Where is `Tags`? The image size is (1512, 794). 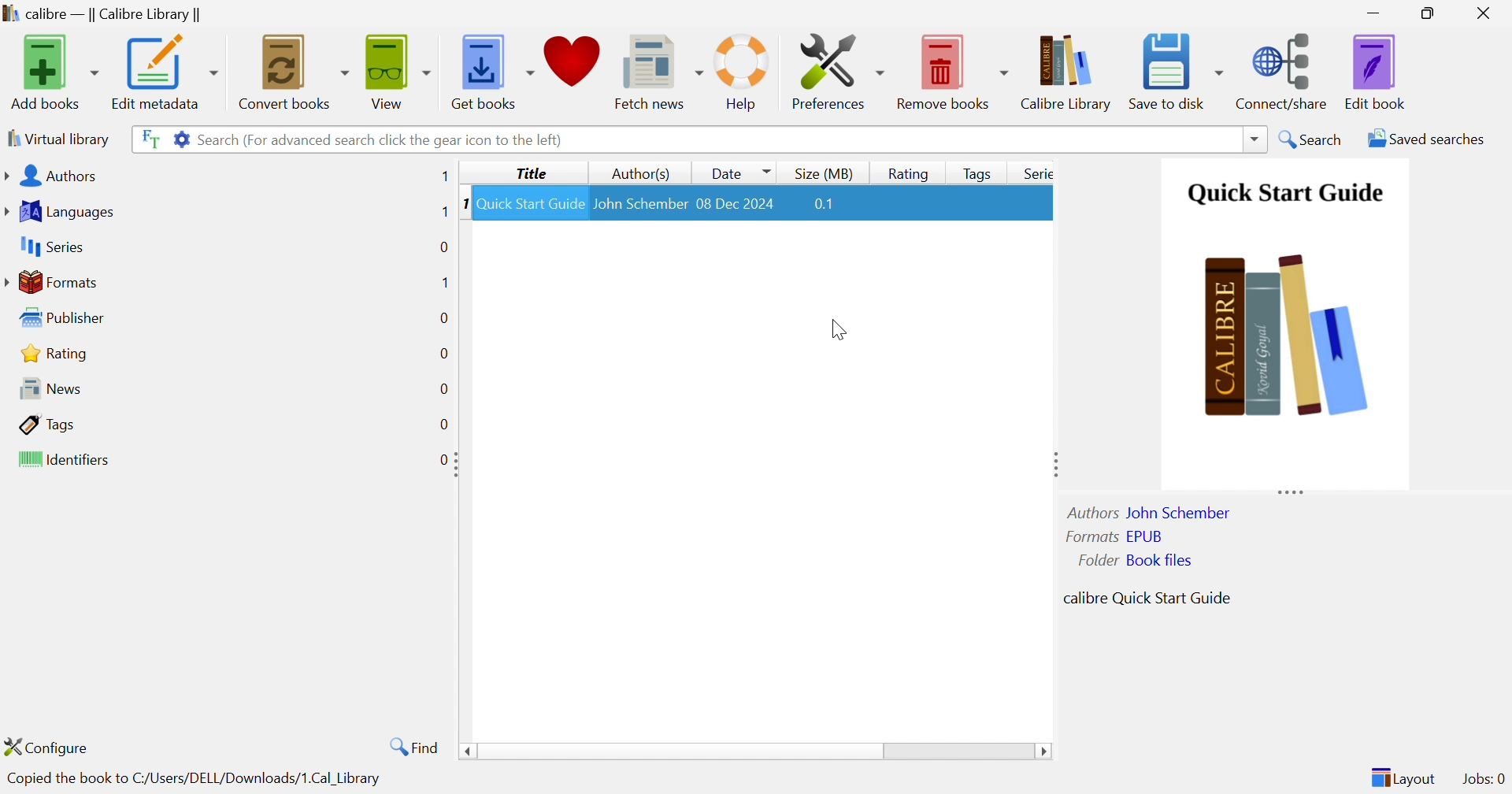
Tags is located at coordinates (46, 422).